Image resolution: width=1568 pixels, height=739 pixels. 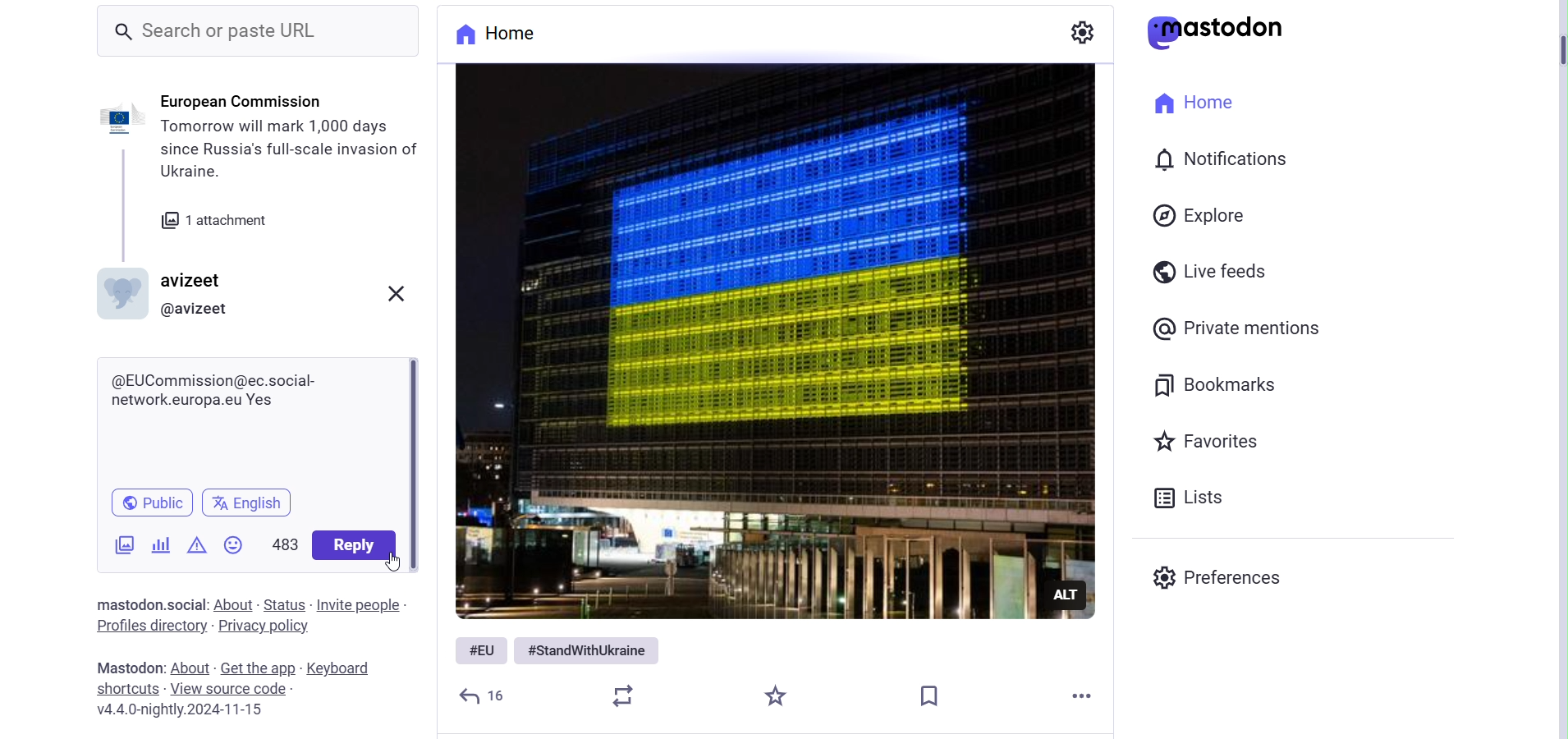 What do you see at coordinates (1216, 579) in the screenshot?
I see `preferences` at bounding box center [1216, 579].